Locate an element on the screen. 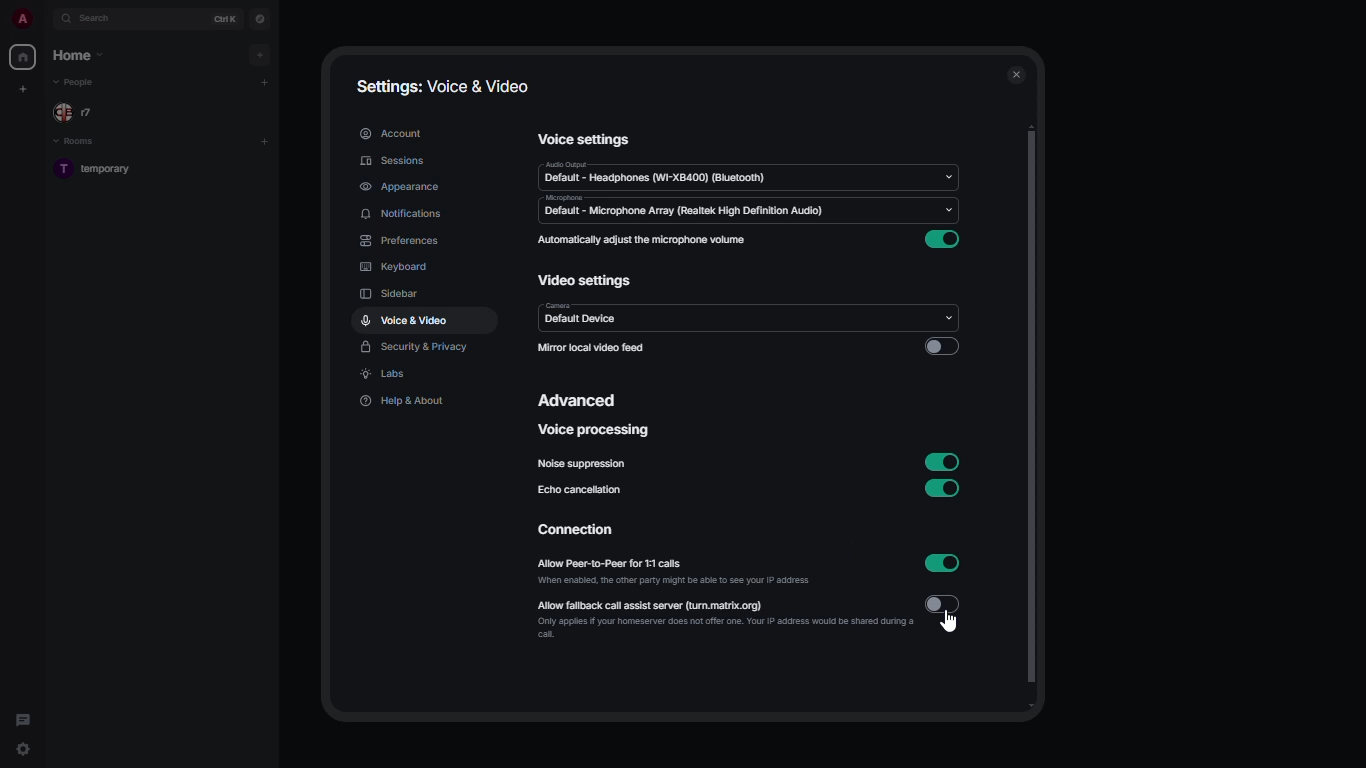 The image size is (1366, 768). create new space is located at coordinates (24, 89).